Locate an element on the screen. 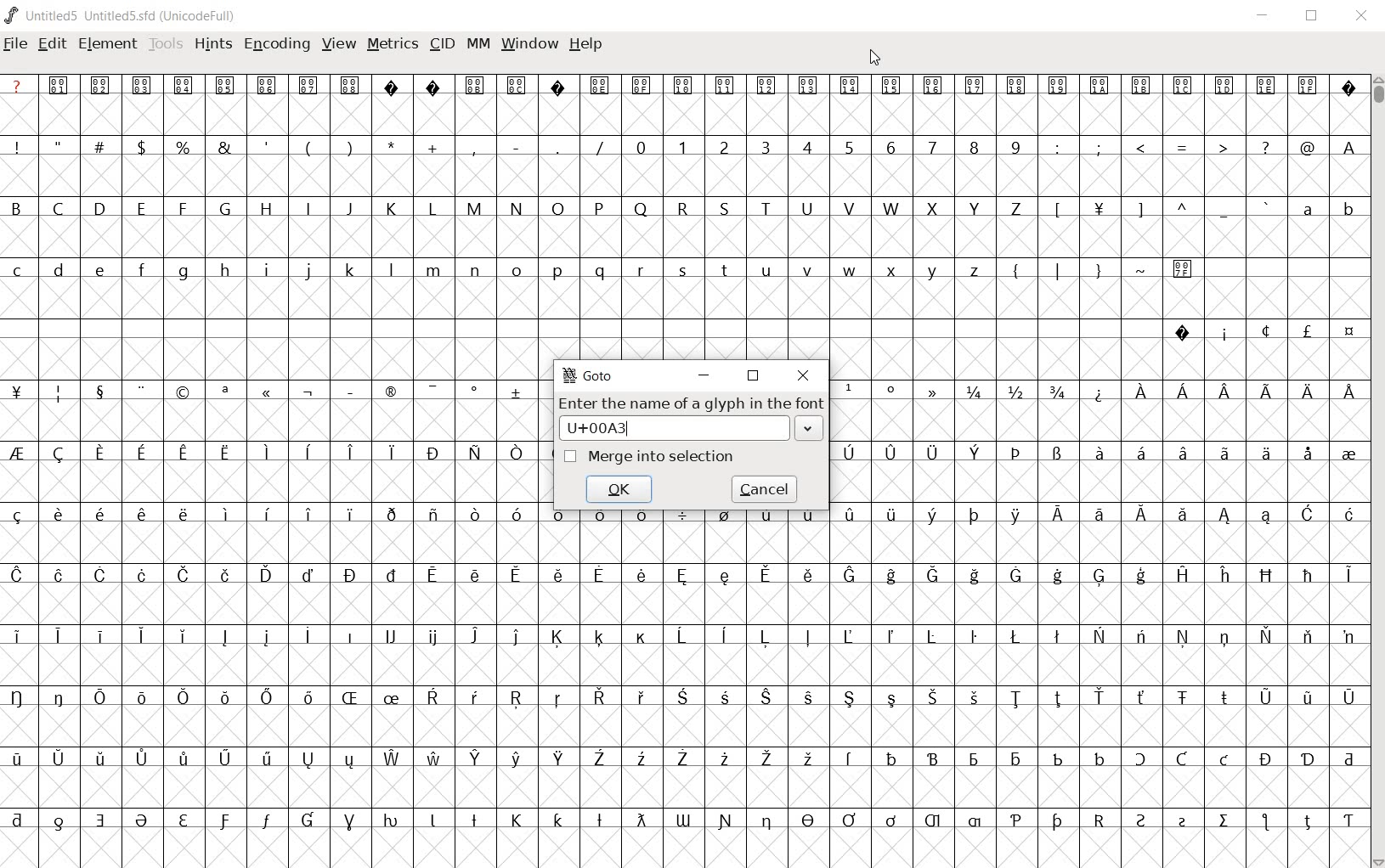 The width and height of the screenshot is (1385, 868). Symbol is located at coordinates (1348, 697).